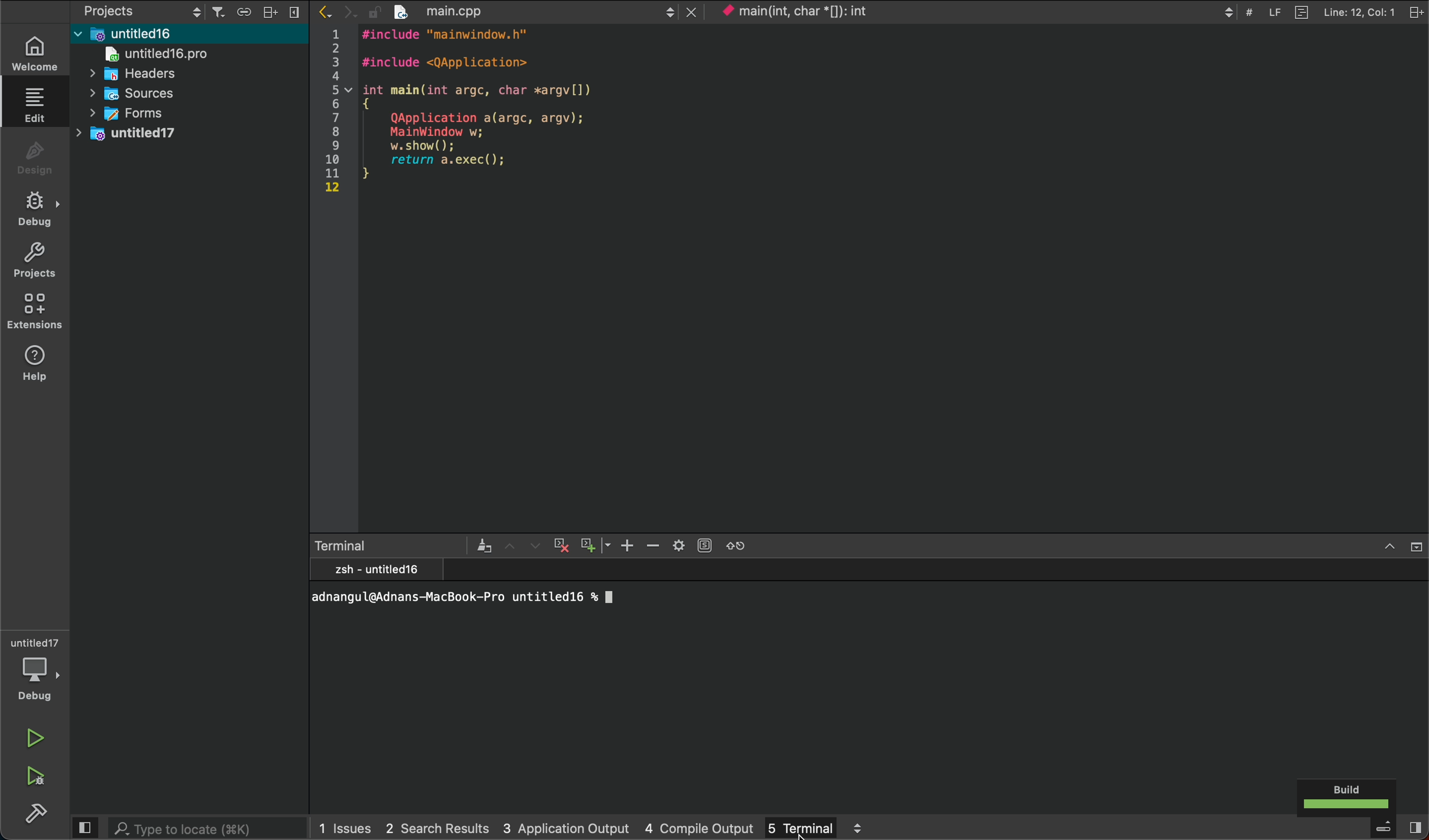 The image size is (1429, 840). What do you see at coordinates (692, 11) in the screenshot?
I see `close` at bounding box center [692, 11].